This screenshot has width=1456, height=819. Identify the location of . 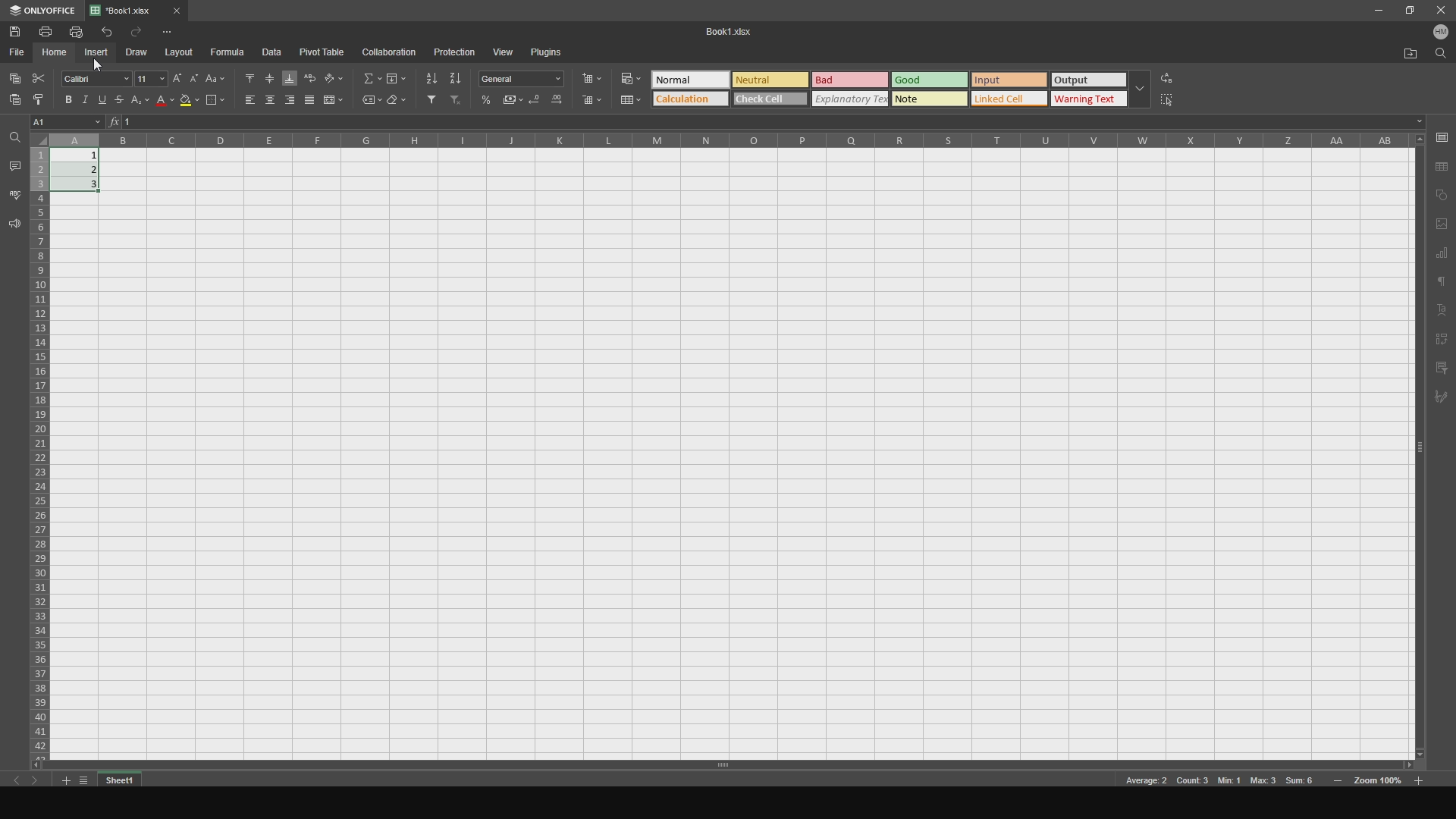
(514, 99).